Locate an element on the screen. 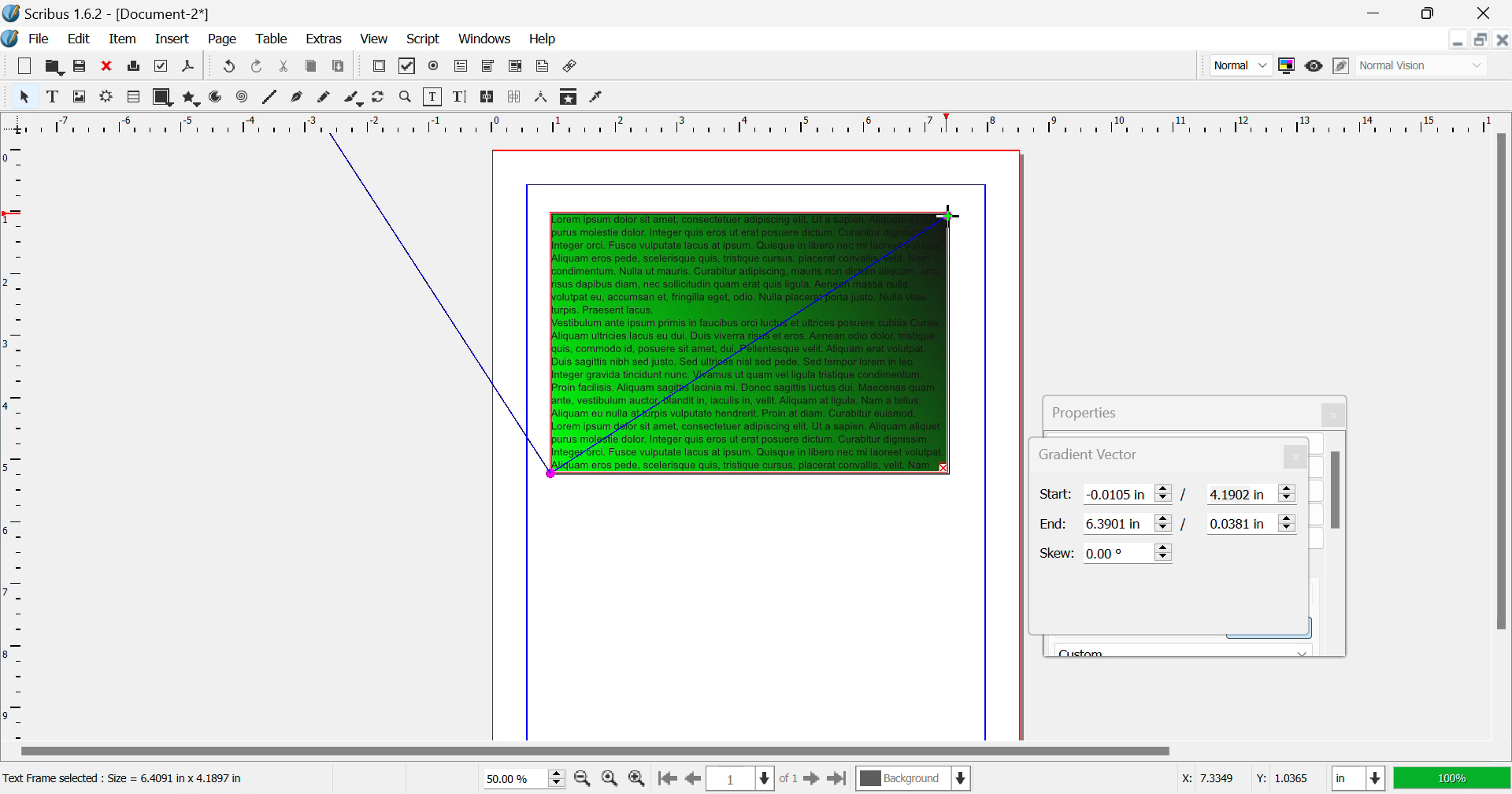 This screenshot has height=794, width=1512. Open is located at coordinates (54, 65).